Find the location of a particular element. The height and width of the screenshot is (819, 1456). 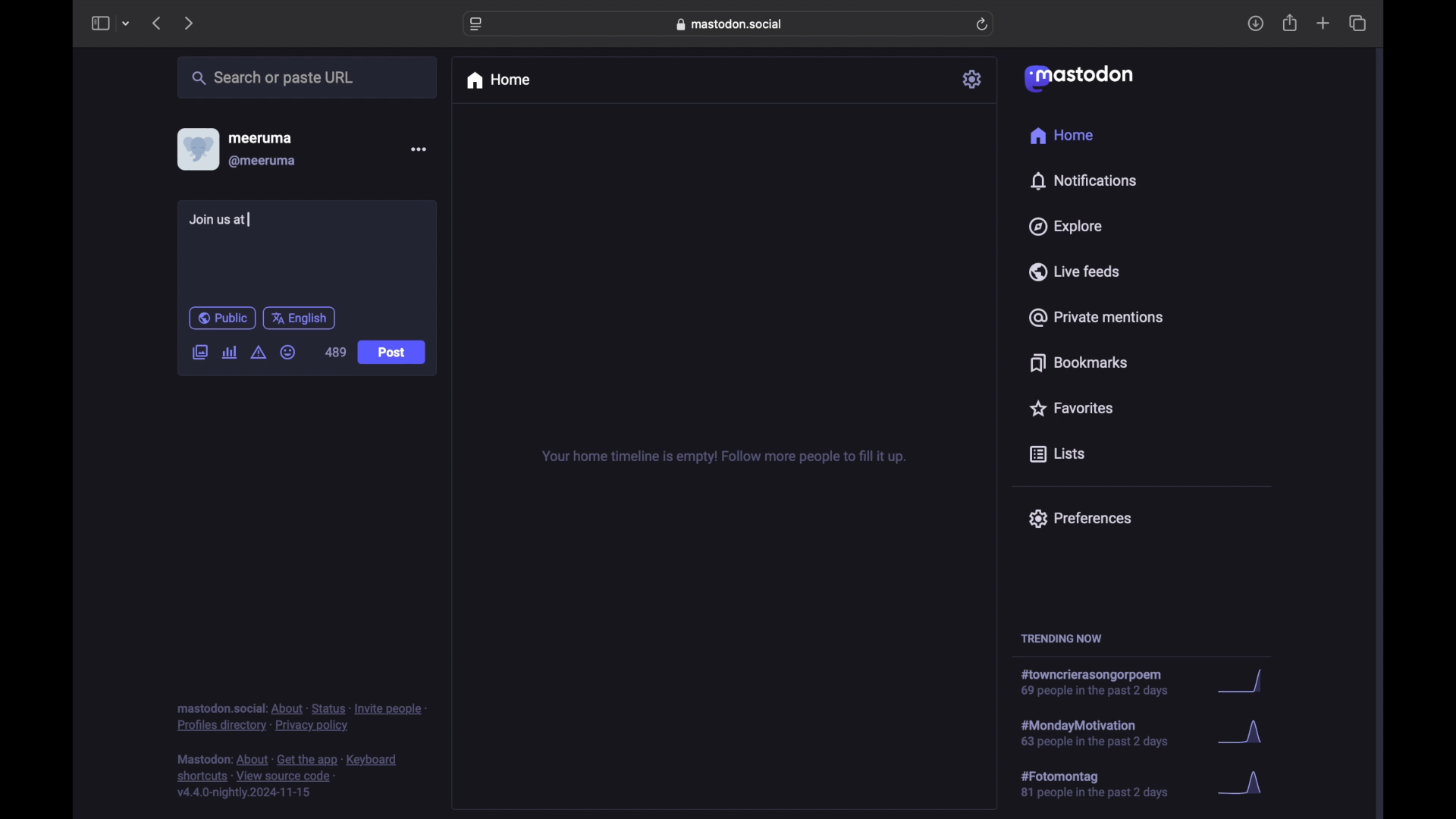

add  poll is located at coordinates (229, 352).